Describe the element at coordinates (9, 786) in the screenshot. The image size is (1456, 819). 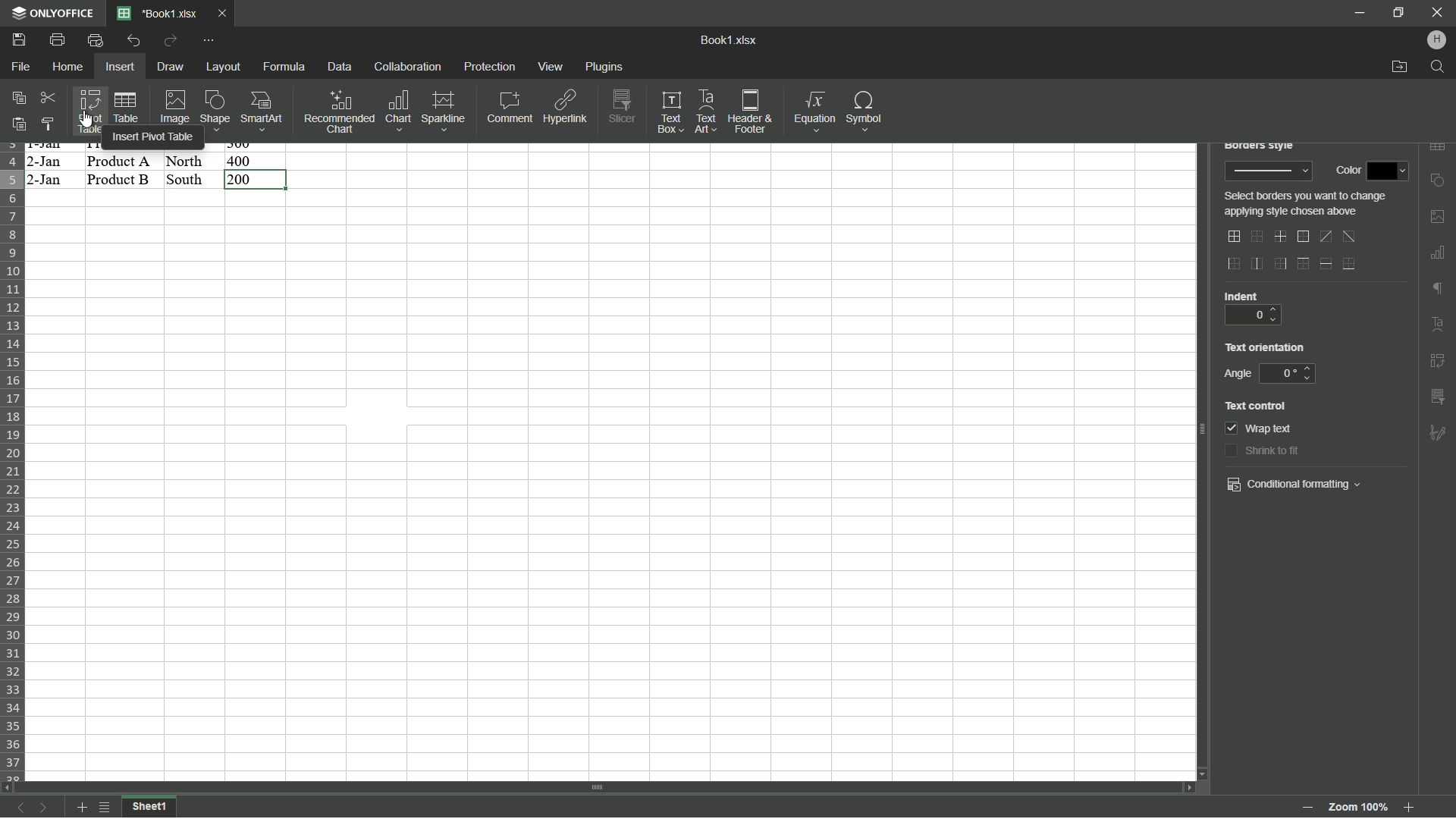
I see `scroll left` at that location.